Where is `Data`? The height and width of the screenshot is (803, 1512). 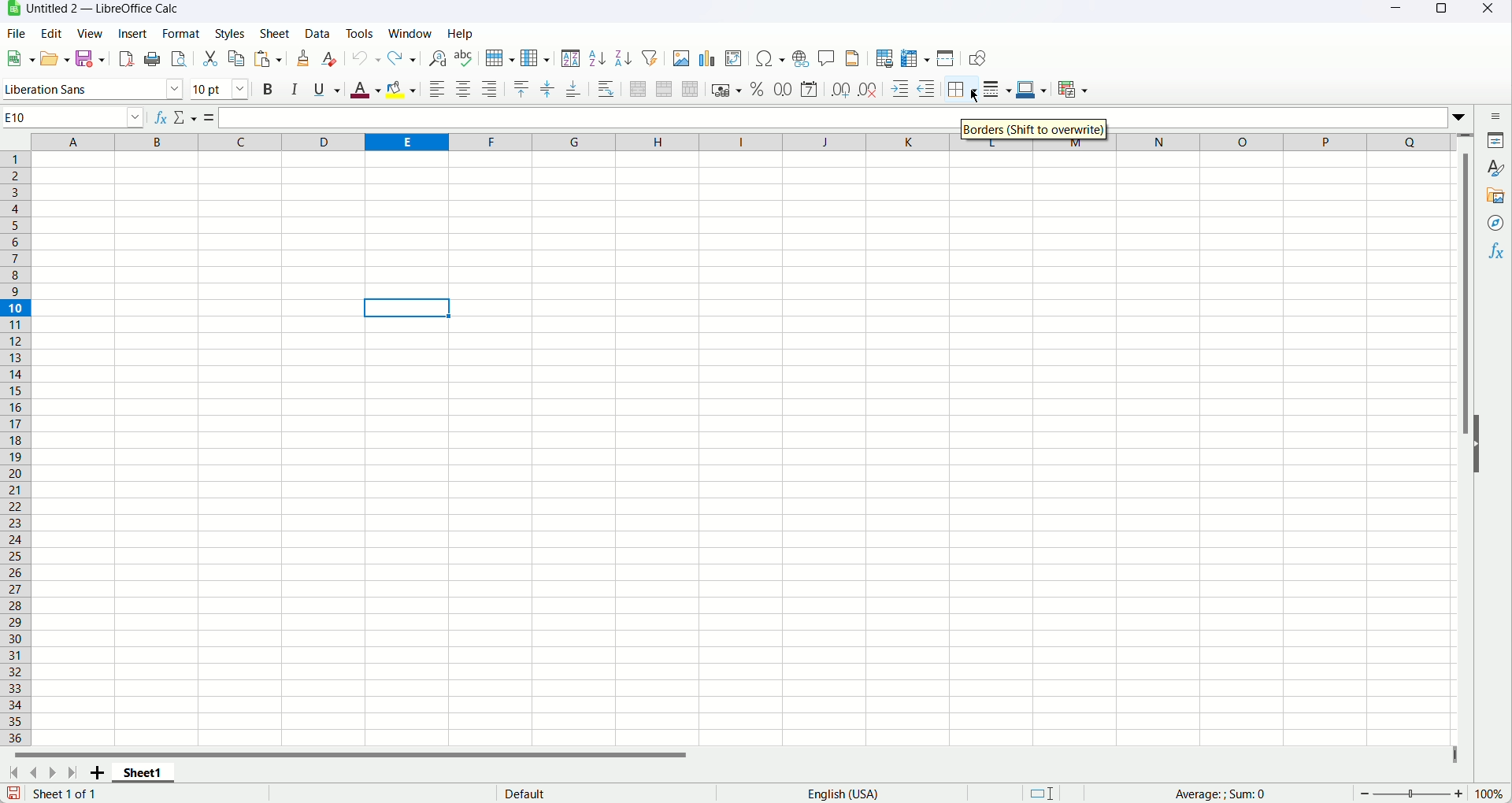 Data is located at coordinates (316, 35).